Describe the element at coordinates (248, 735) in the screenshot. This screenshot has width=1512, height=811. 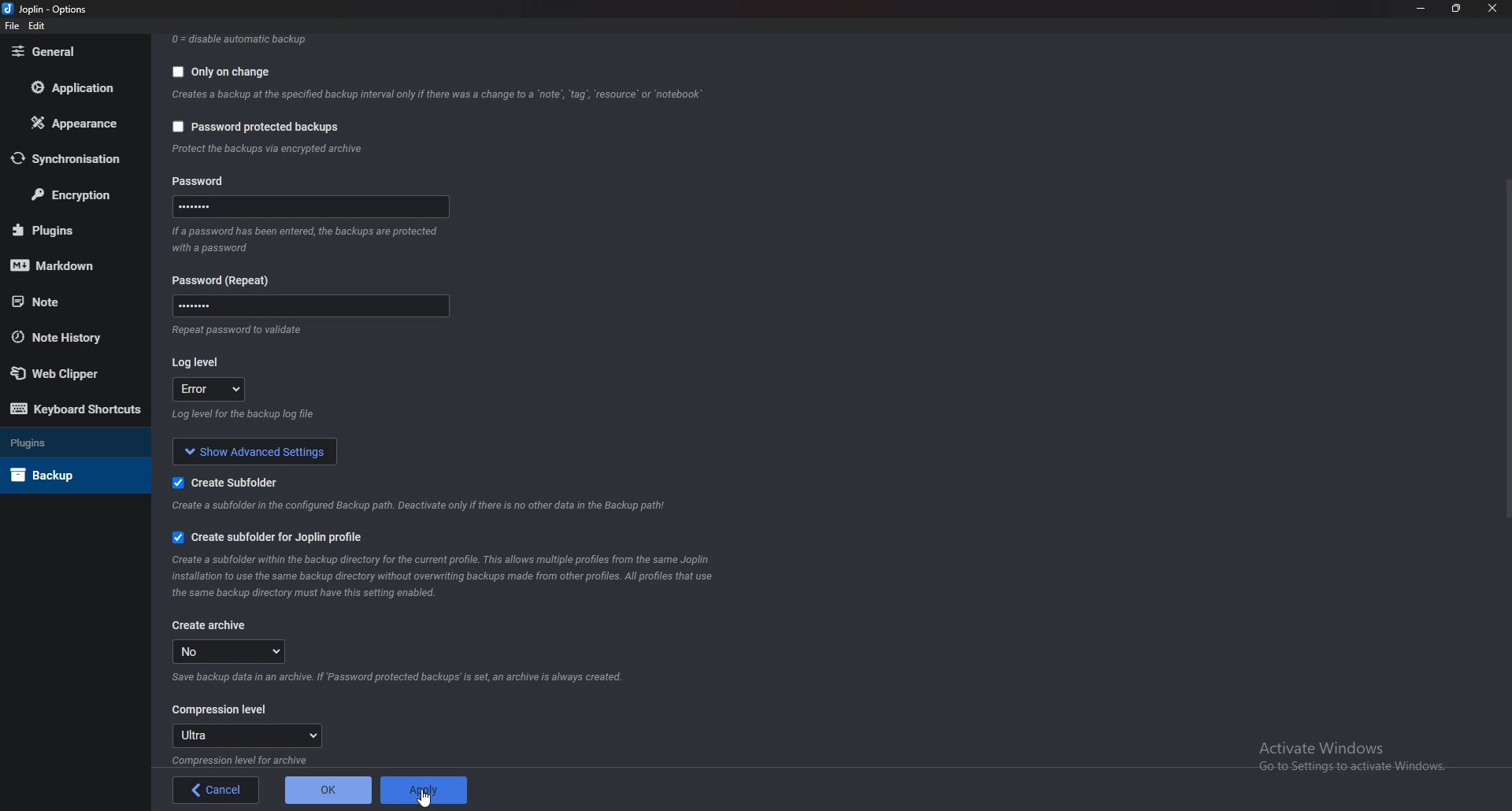
I see `Ultra` at that location.